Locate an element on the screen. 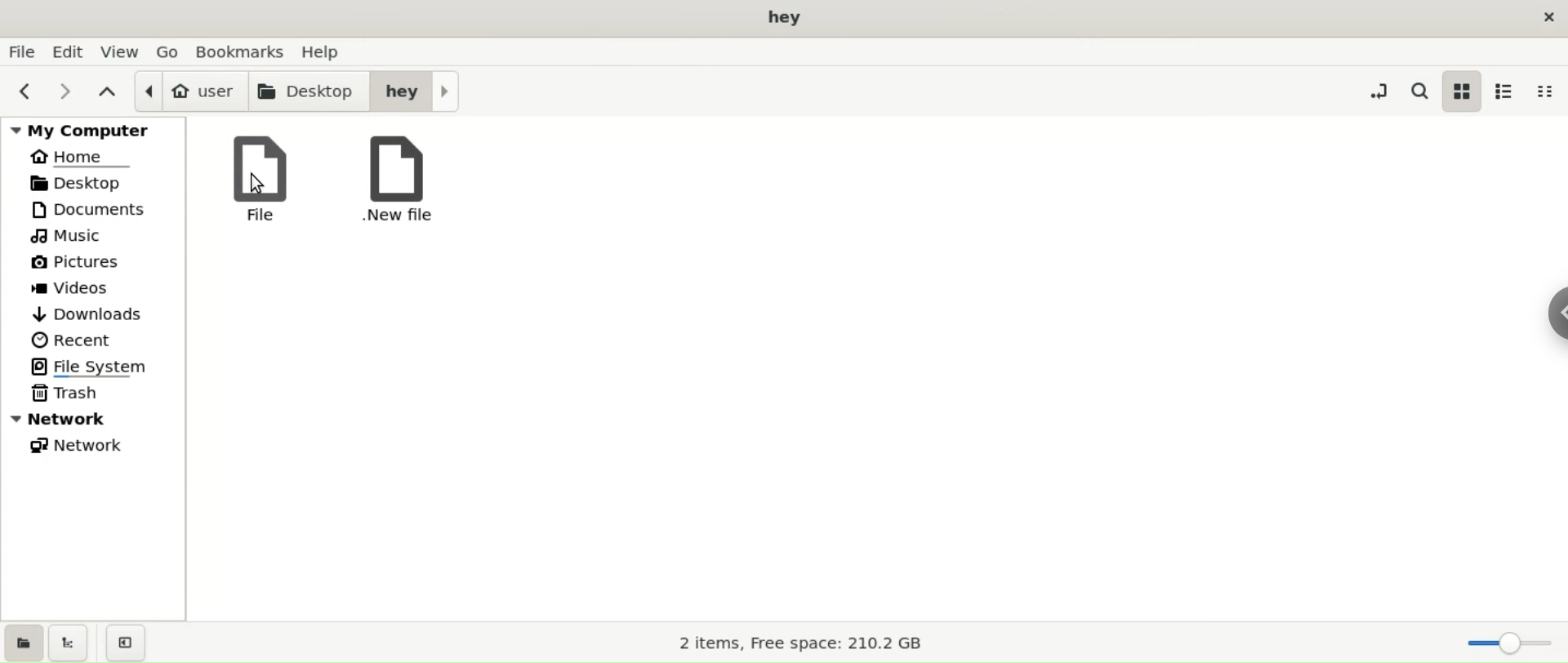 This screenshot has height=663, width=1568. view is located at coordinates (118, 51).